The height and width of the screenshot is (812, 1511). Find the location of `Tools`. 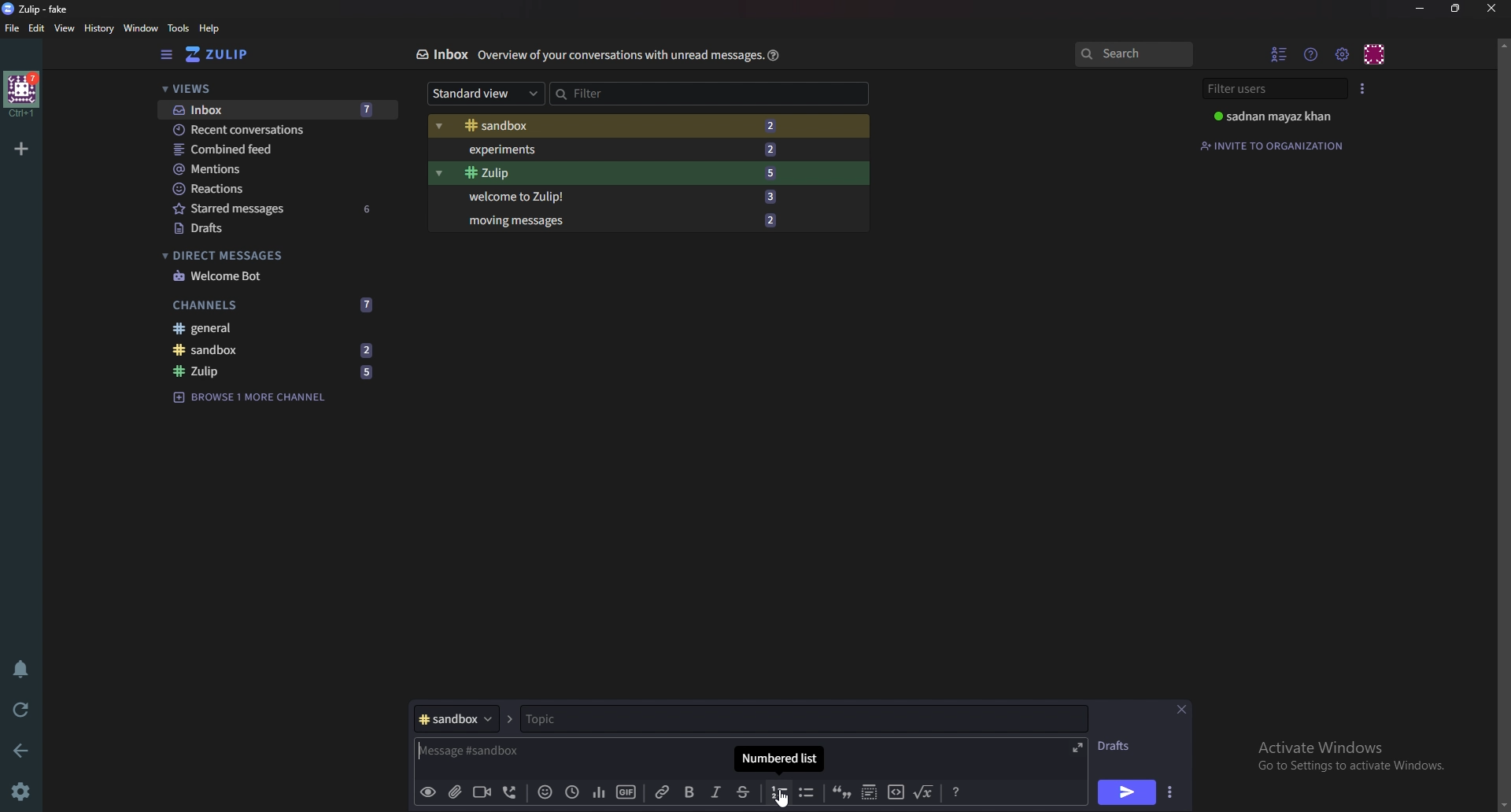

Tools is located at coordinates (178, 28).